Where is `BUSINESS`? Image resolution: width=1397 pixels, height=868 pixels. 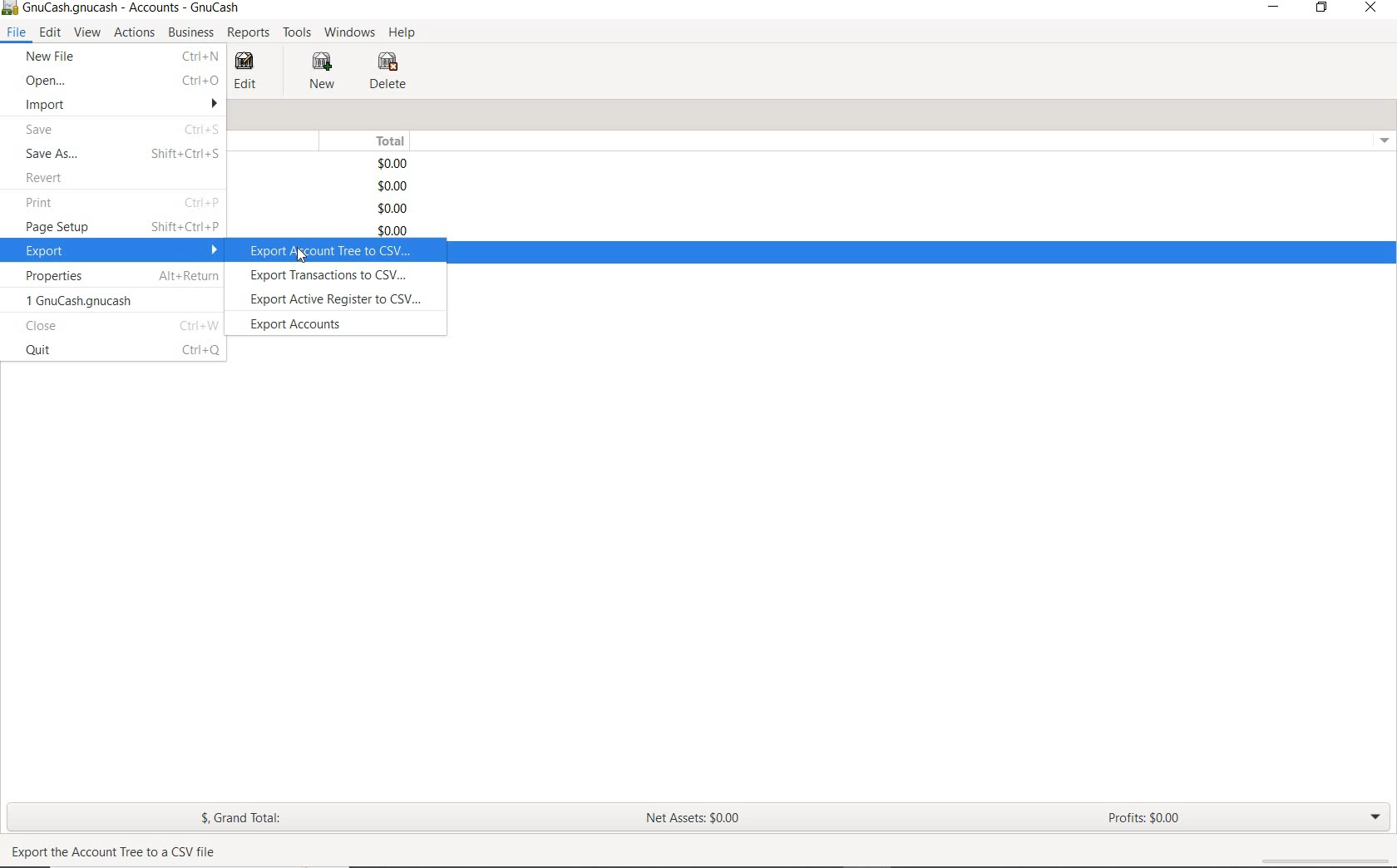
BUSINESS is located at coordinates (190, 33).